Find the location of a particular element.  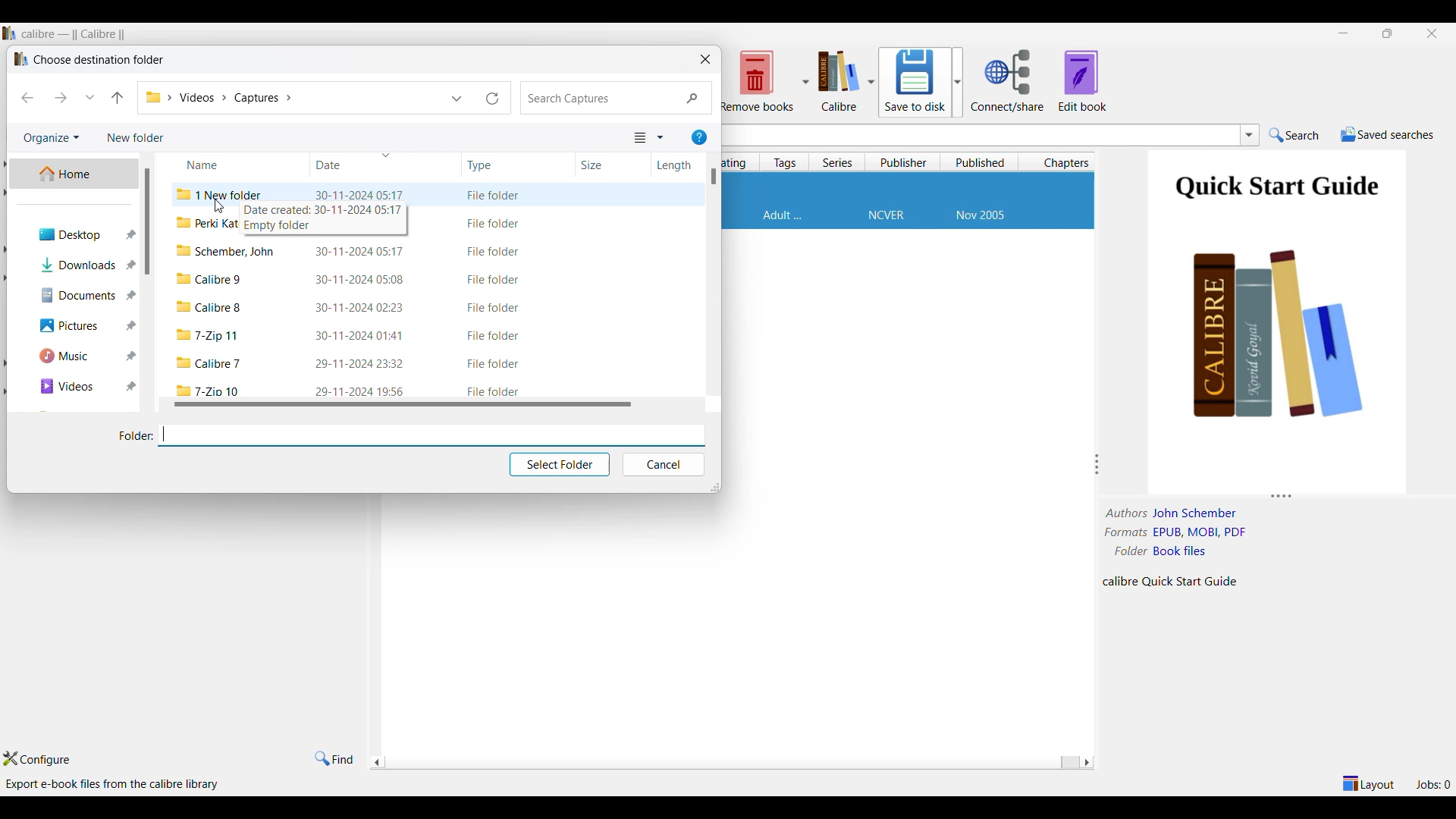

Music is located at coordinates (77, 356).